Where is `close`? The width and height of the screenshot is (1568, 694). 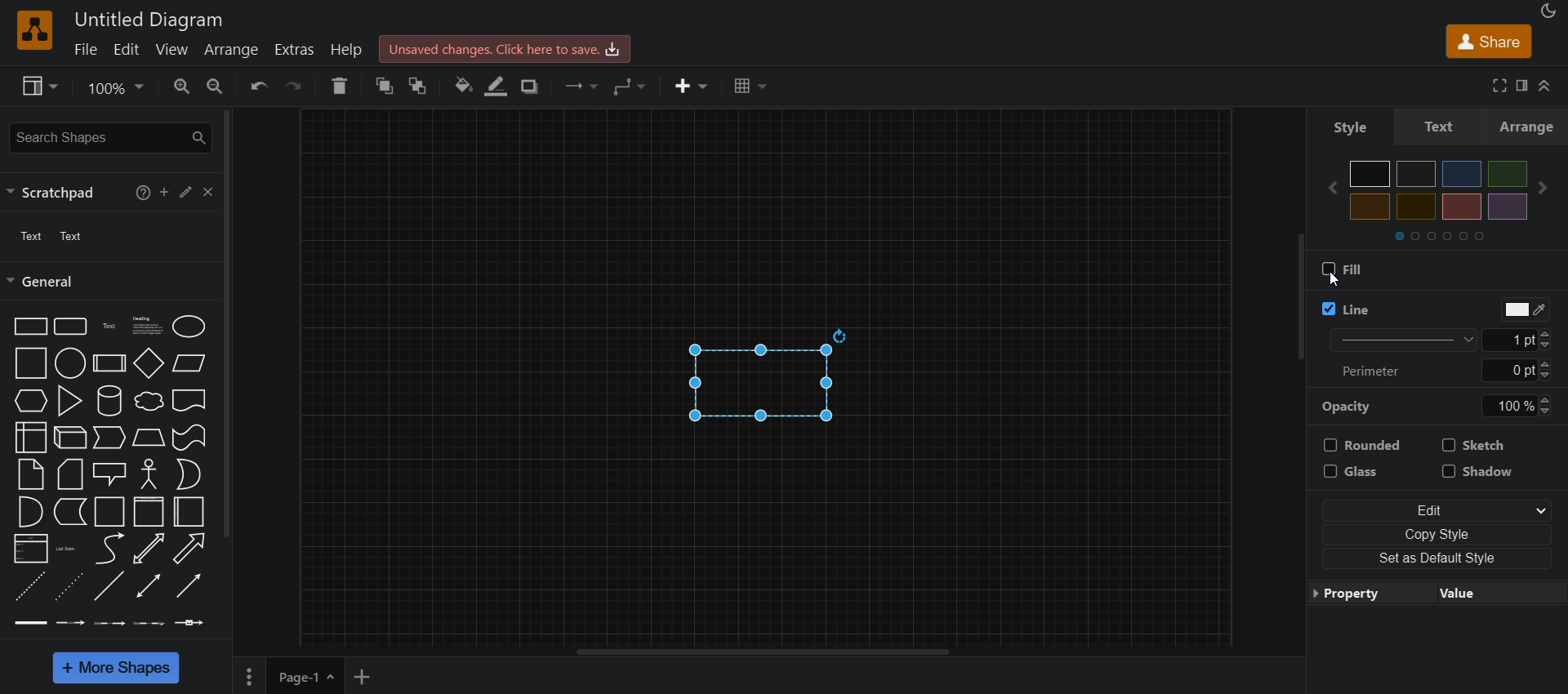
close is located at coordinates (211, 194).